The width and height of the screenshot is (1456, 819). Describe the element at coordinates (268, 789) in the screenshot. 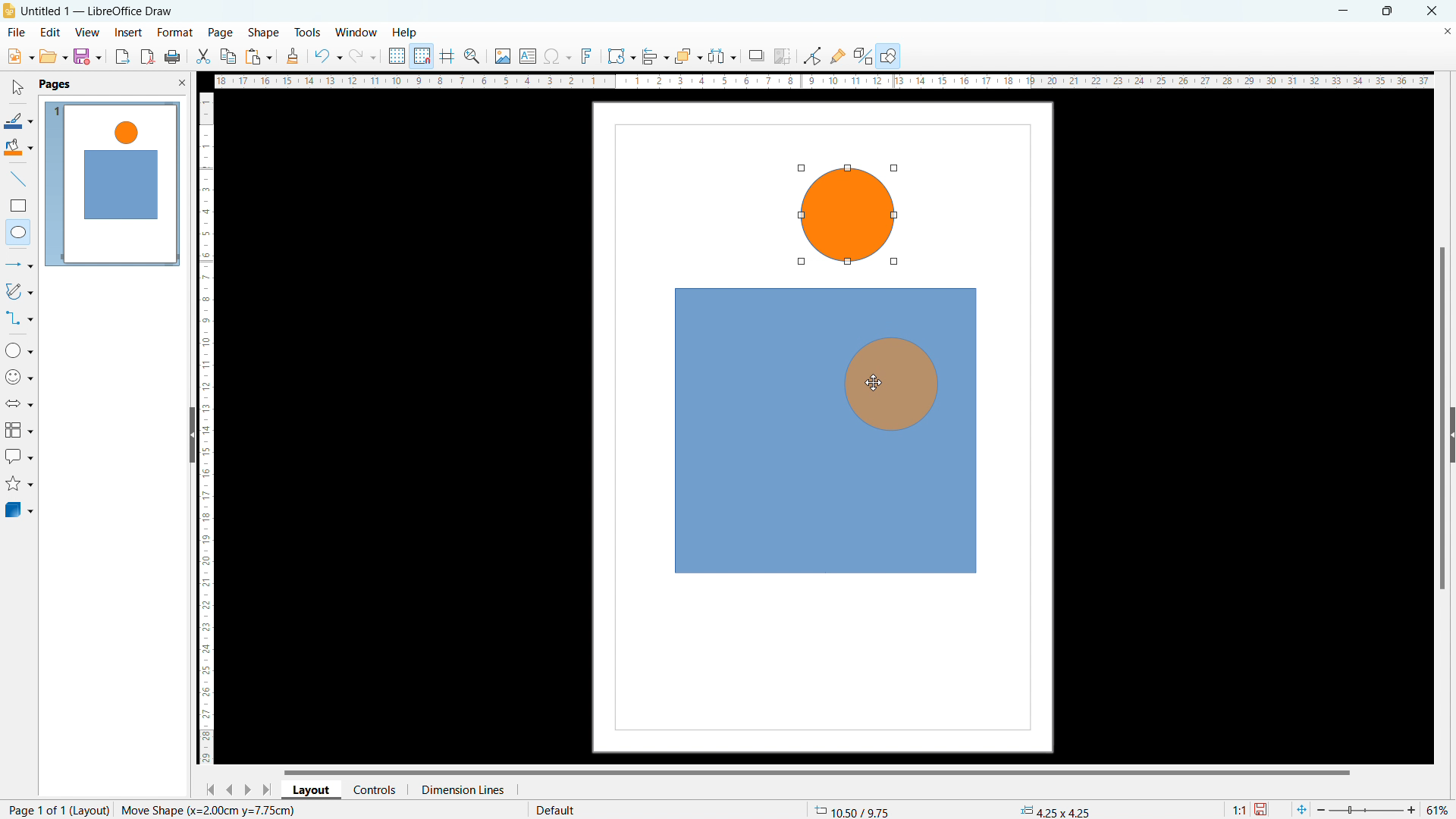

I see `go to last page` at that location.